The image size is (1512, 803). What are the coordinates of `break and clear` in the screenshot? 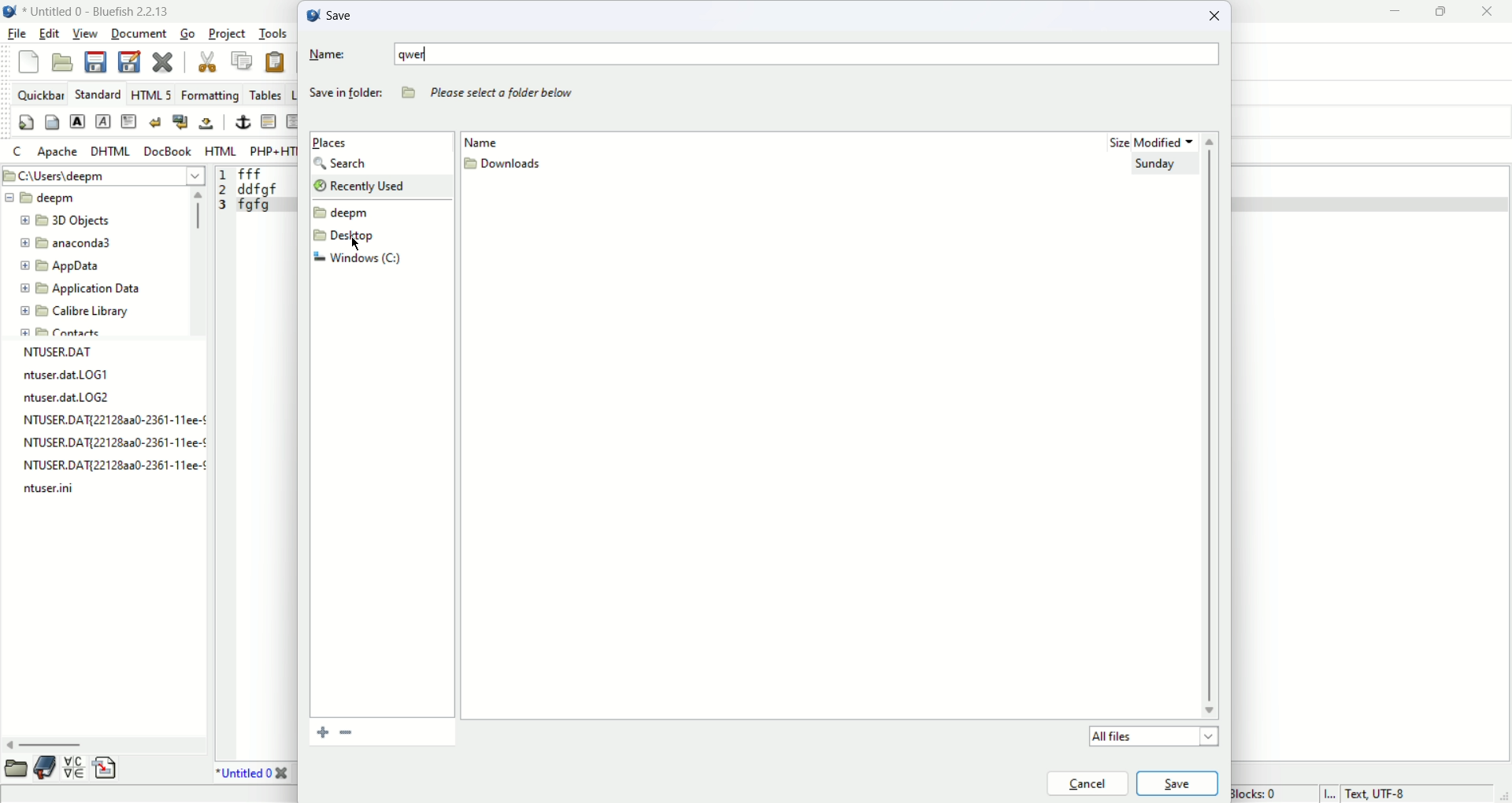 It's located at (180, 122).